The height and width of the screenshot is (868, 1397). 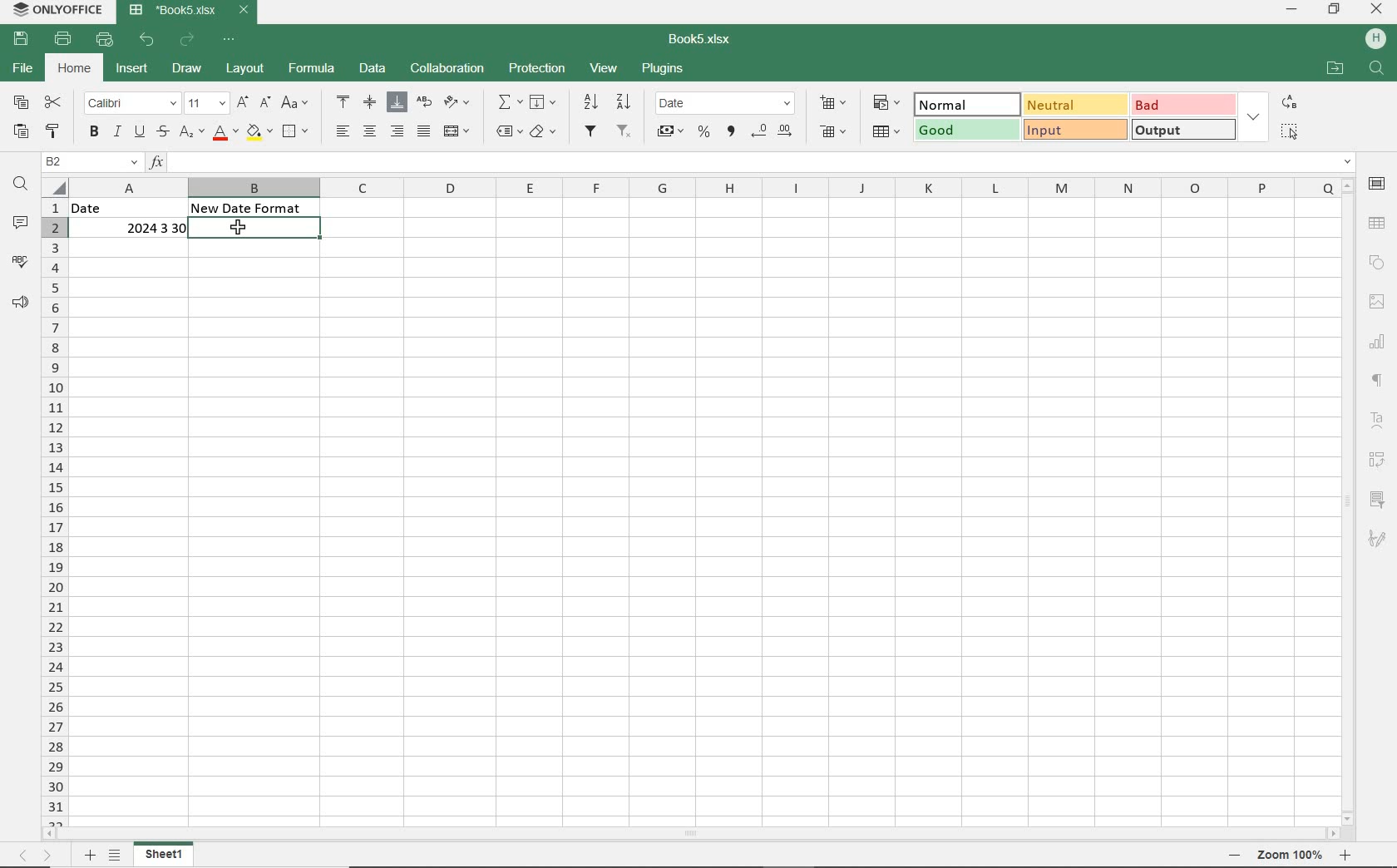 I want to click on FILTER, so click(x=590, y=132).